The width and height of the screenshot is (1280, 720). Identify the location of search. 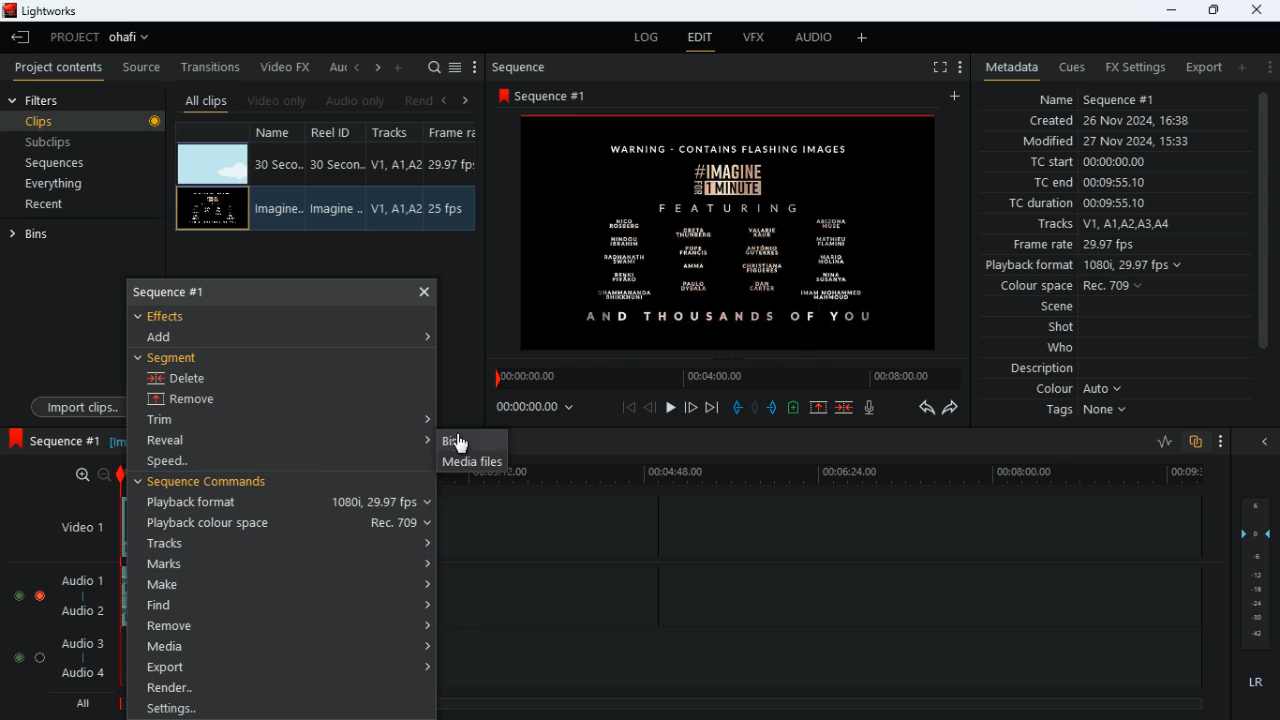
(434, 67).